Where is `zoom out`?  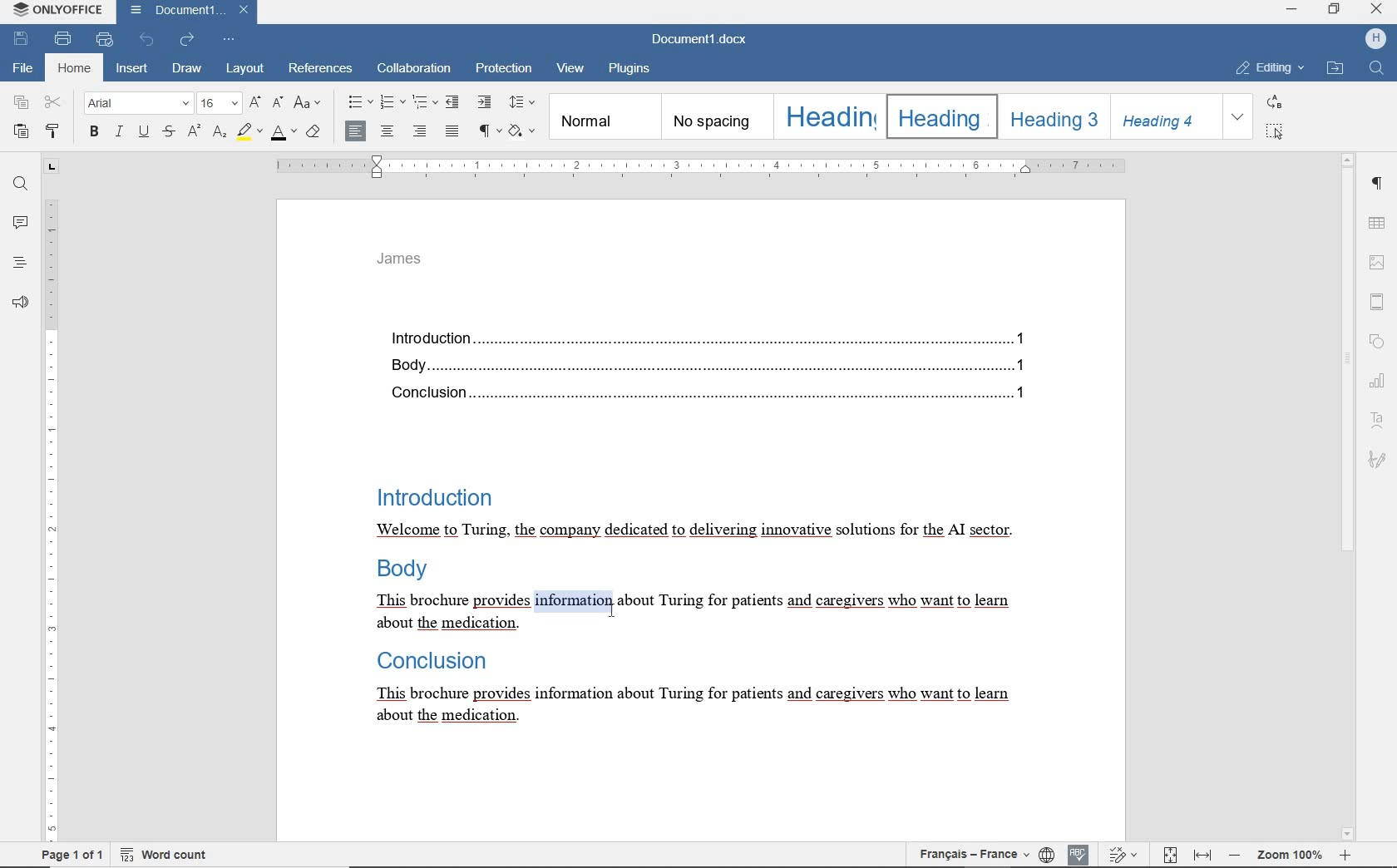 zoom out is located at coordinates (1233, 856).